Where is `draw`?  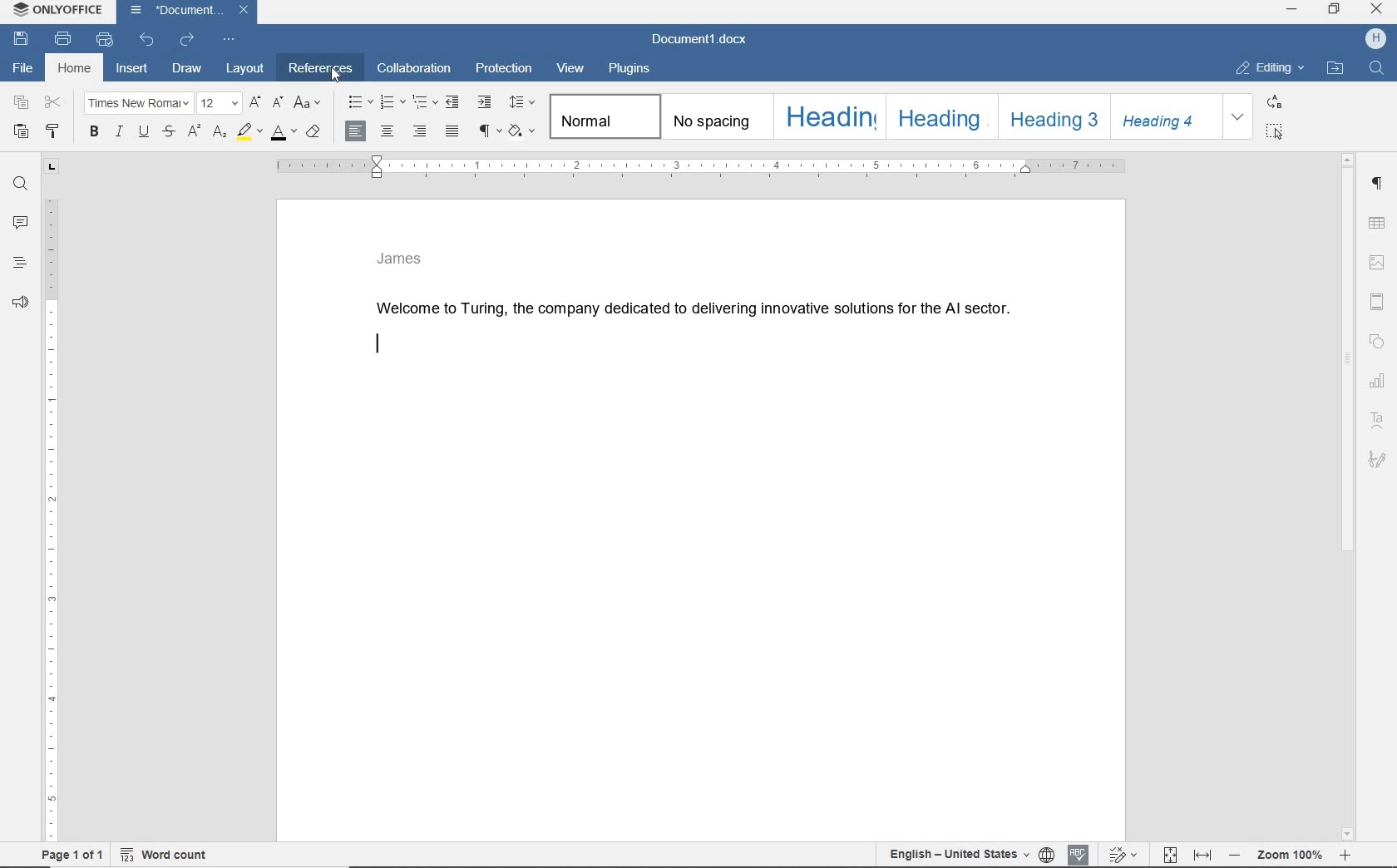 draw is located at coordinates (188, 69).